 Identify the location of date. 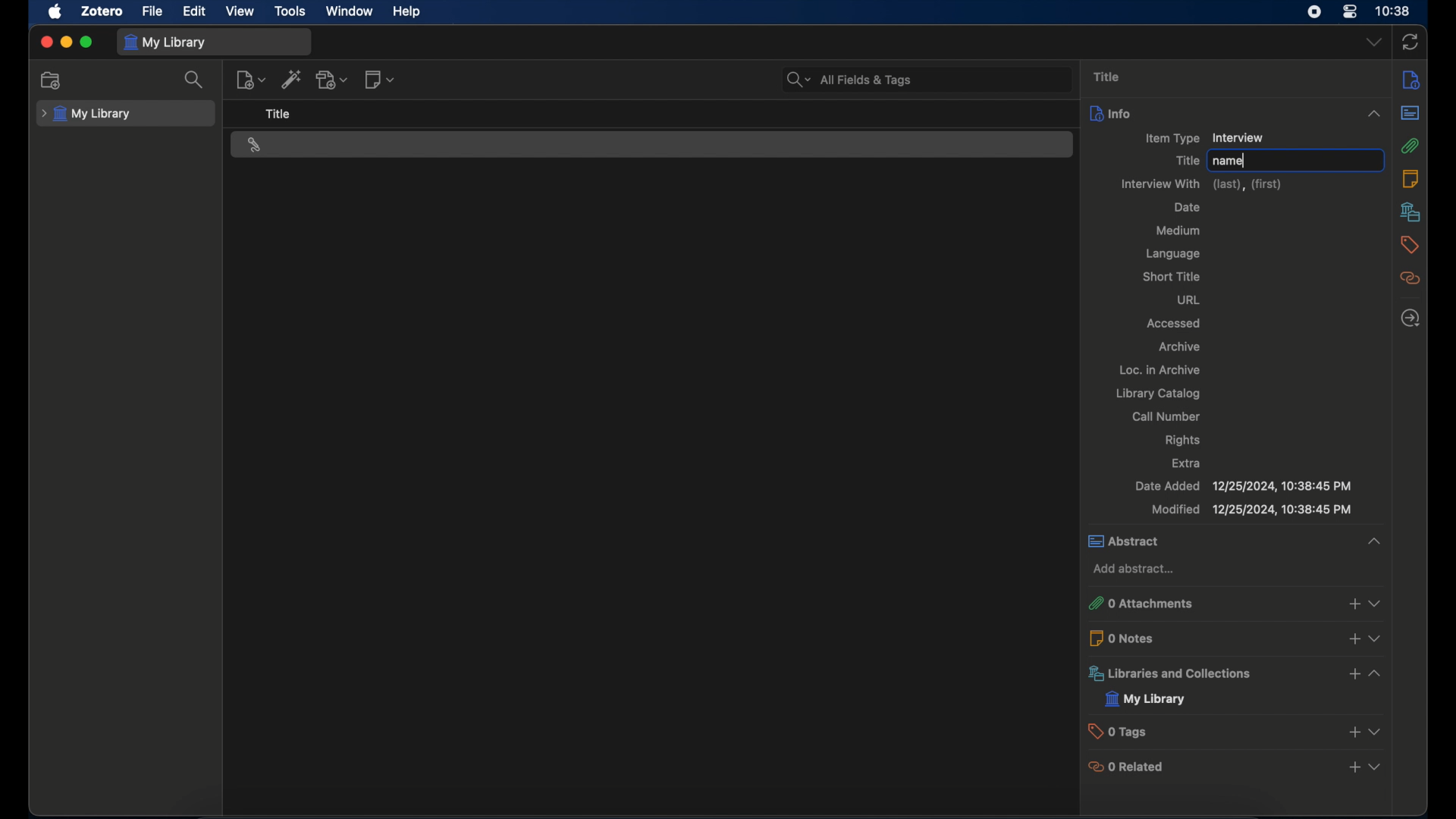
(1188, 207).